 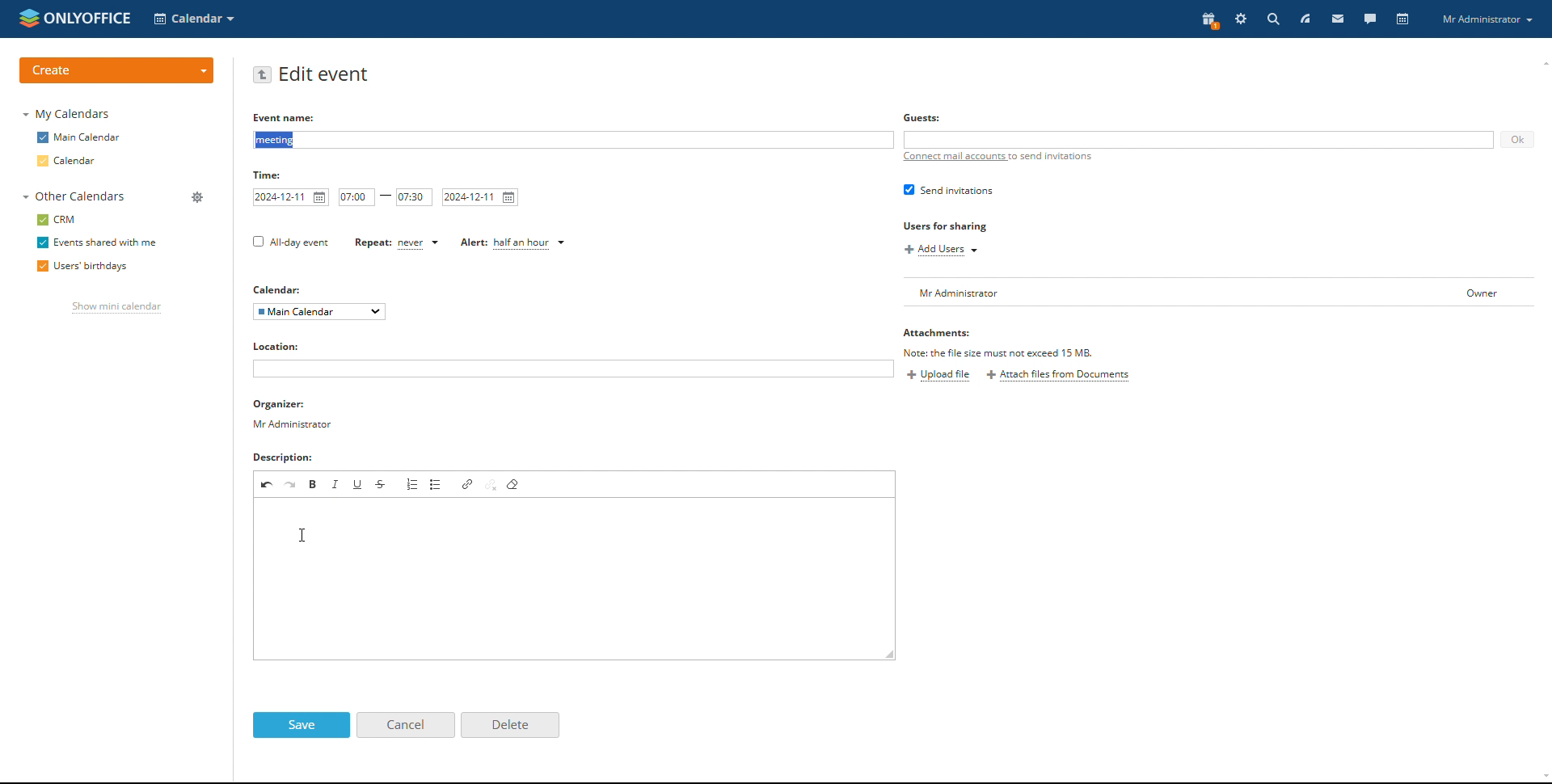 I want to click on my calendars, so click(x=69, y=113).